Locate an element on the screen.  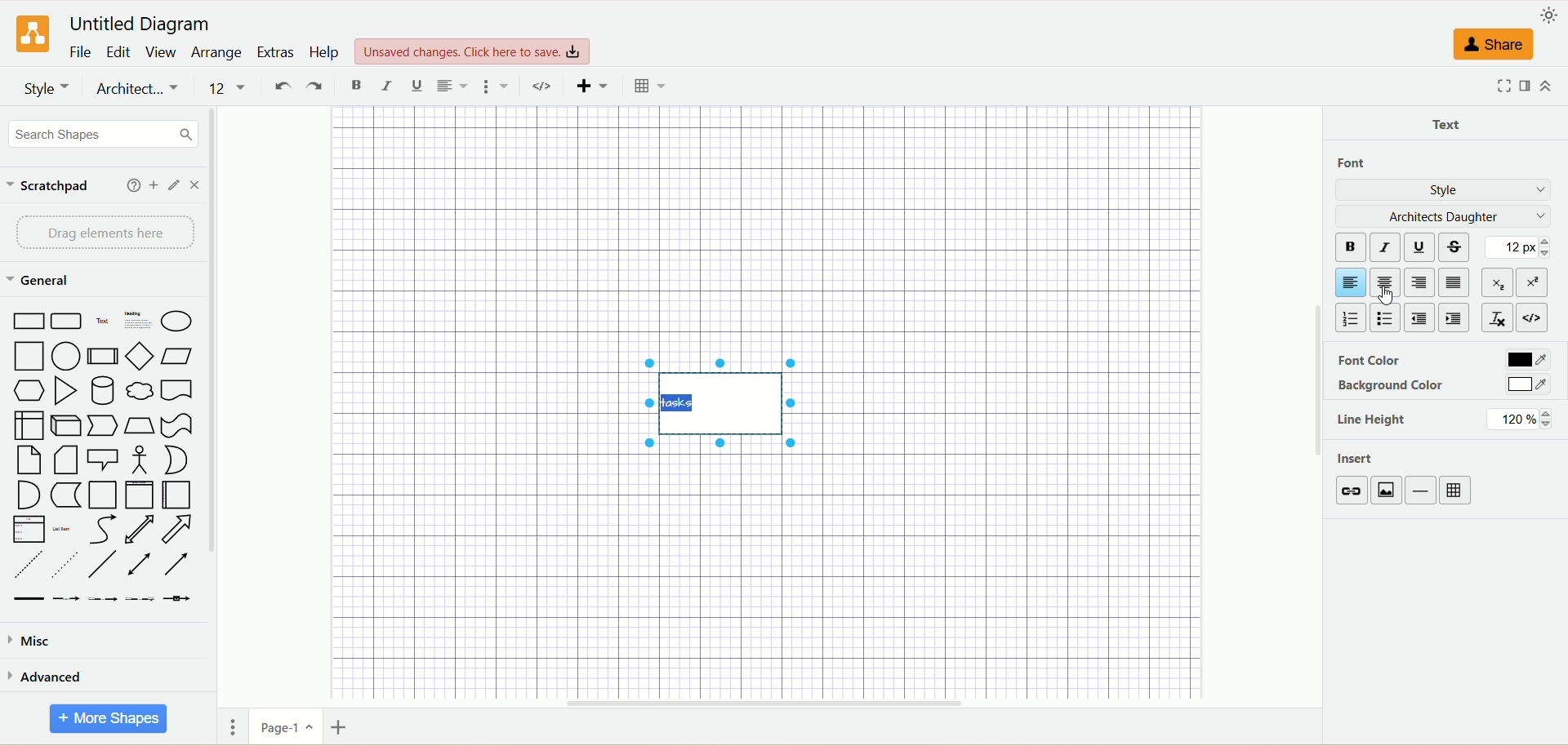
arrange is located at coordinates (216, 52).